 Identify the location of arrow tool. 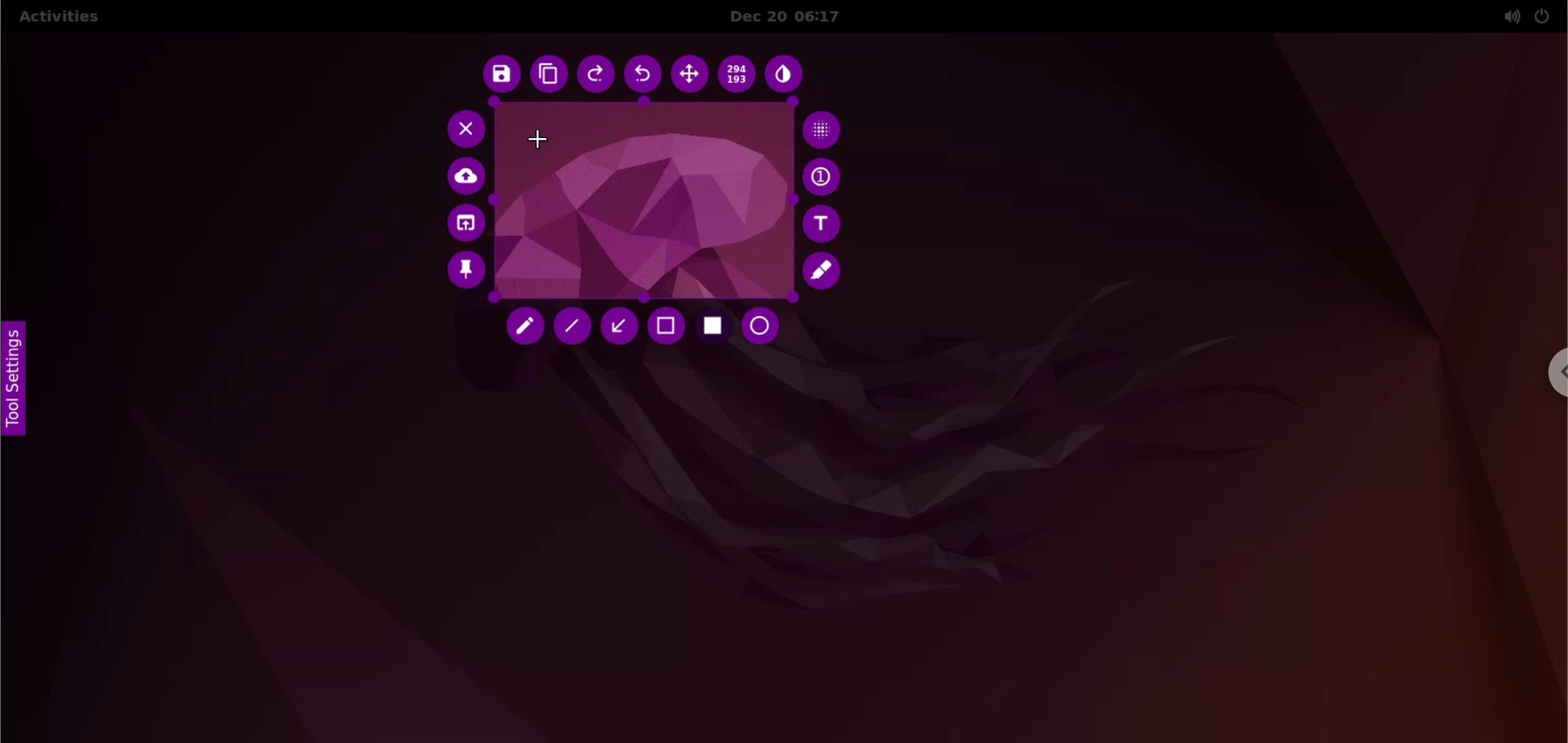
(618, 326).